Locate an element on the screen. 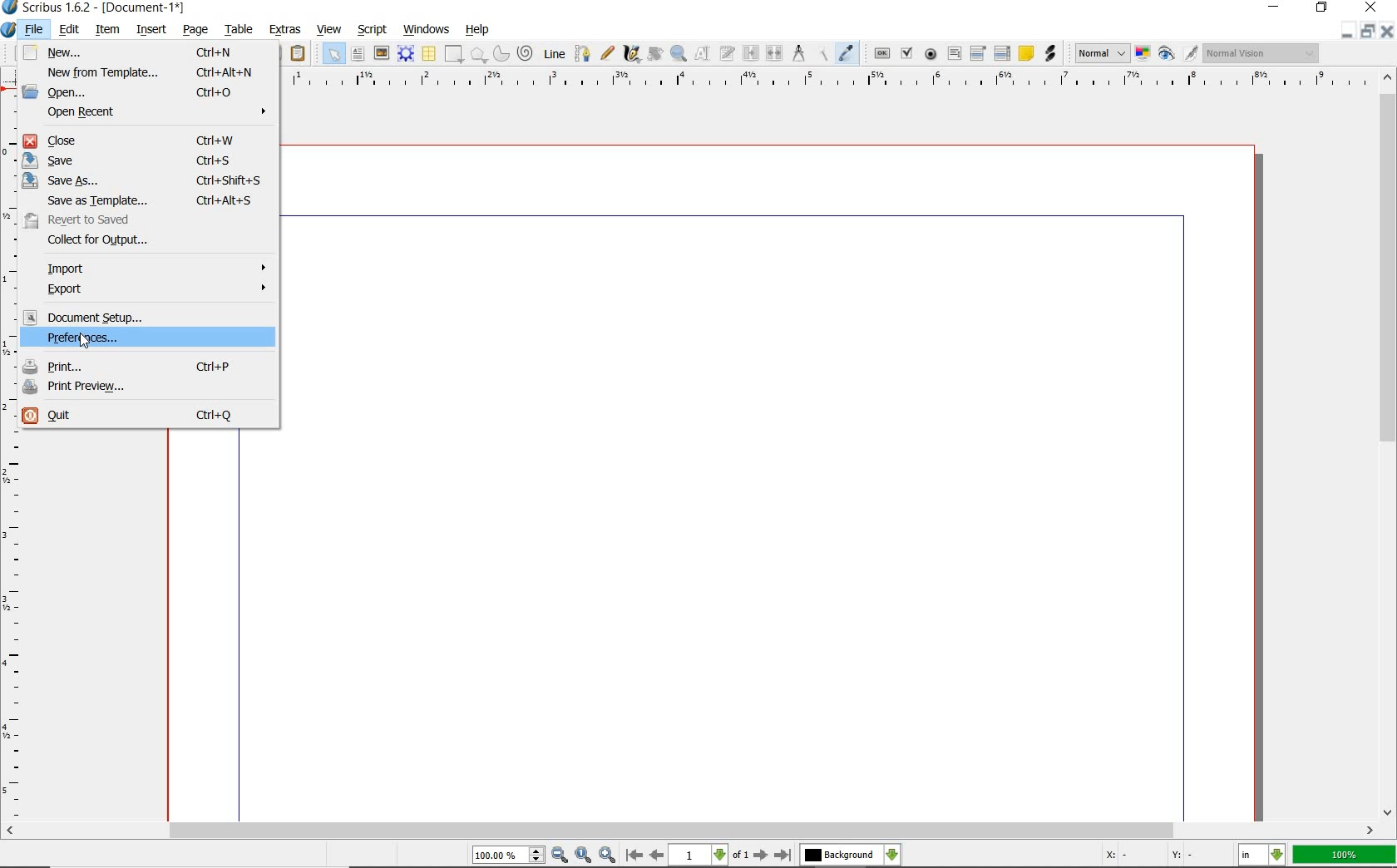 The image size is (1397, 868). export is located at coordinates (157, 290).